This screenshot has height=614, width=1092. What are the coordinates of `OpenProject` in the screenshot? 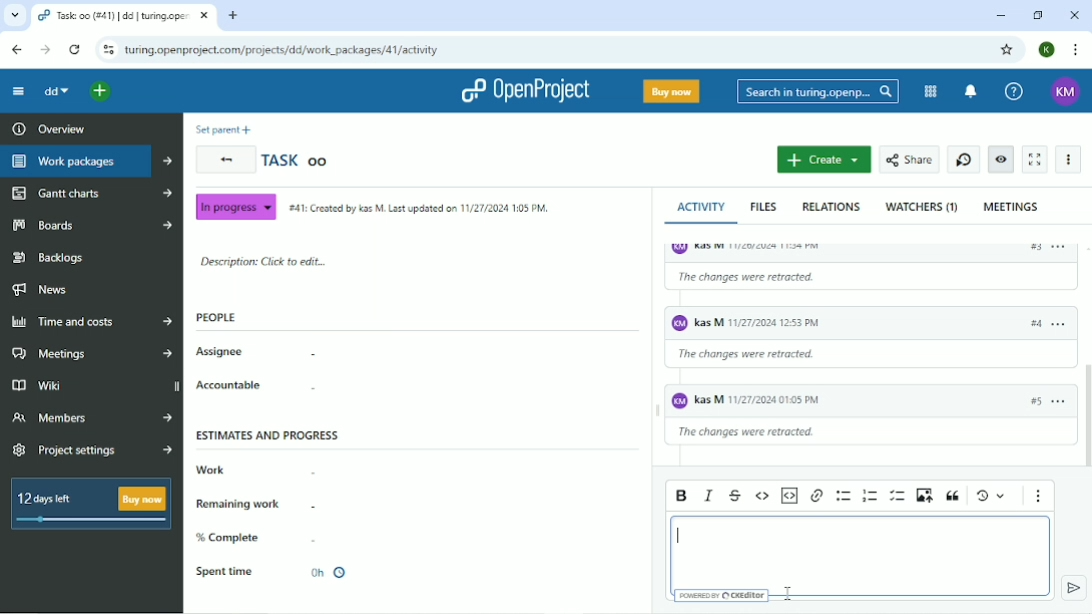 It's located at (526, 91).